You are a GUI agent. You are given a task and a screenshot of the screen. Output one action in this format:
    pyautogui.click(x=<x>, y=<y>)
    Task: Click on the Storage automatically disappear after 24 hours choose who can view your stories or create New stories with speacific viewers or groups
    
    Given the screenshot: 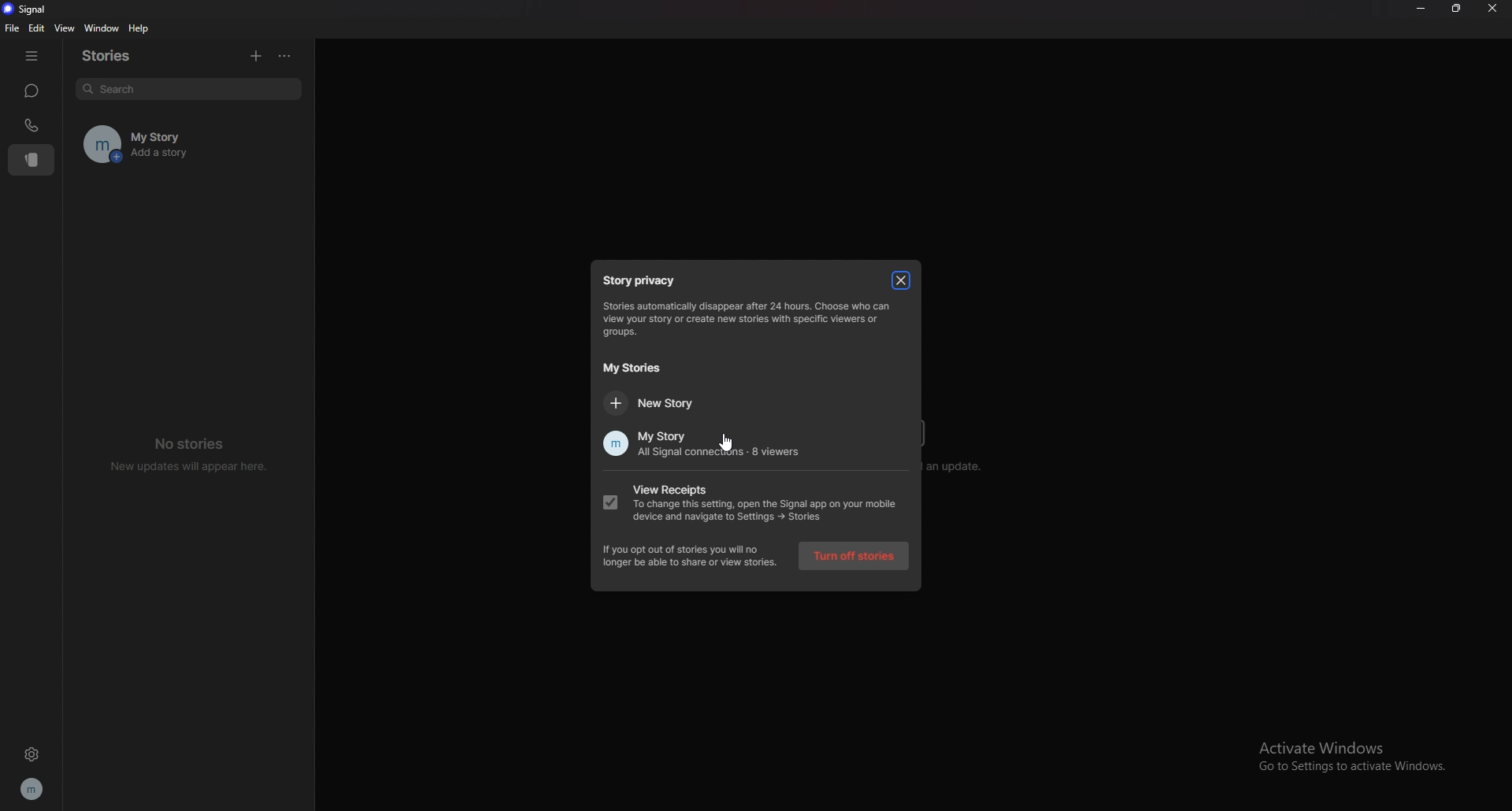 What is the action you would take?
    pyautogui.click(x=745, y=320)
    